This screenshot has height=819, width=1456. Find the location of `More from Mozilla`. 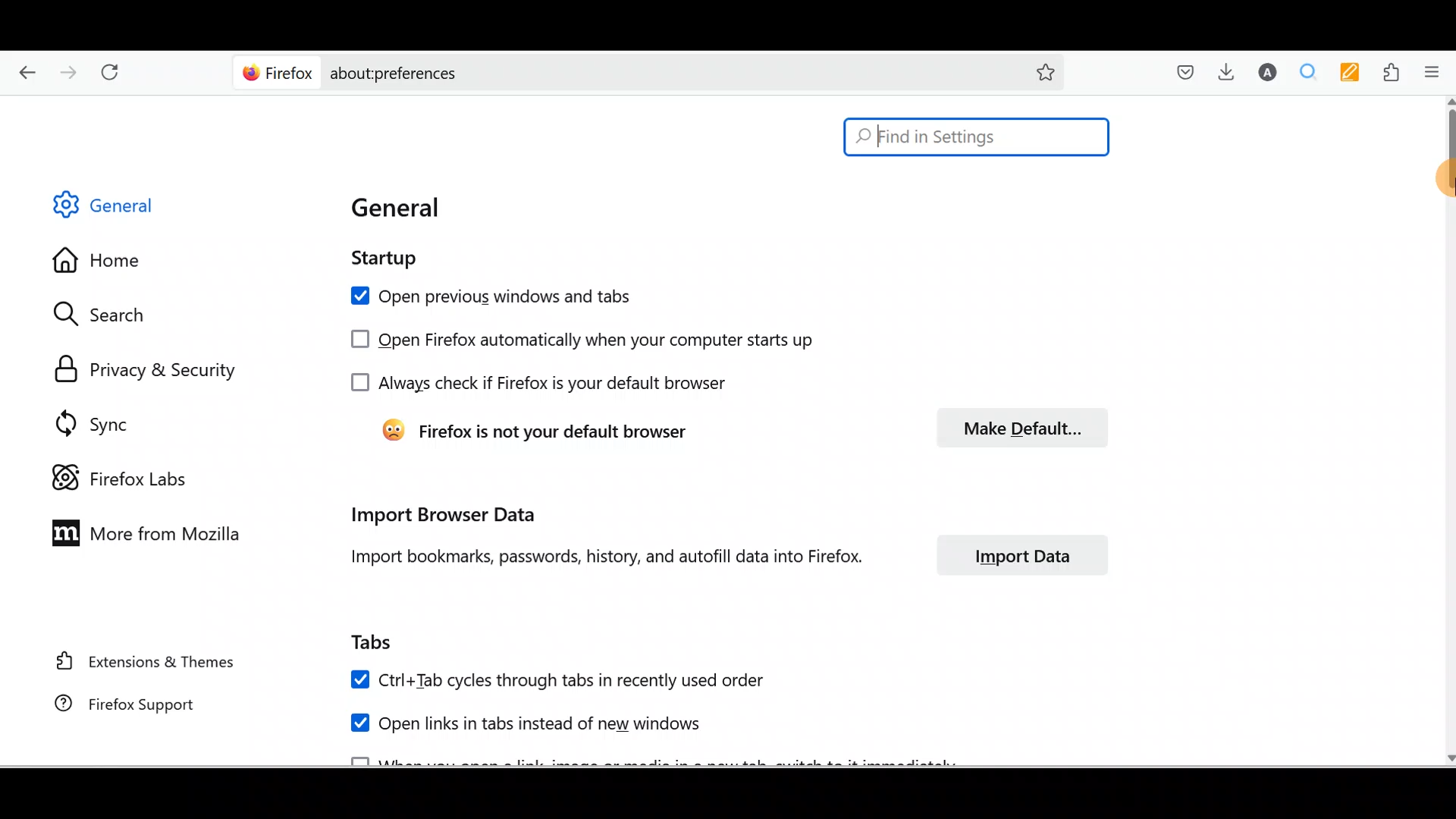

More from Mozilla is located at coordinates (149, 535).